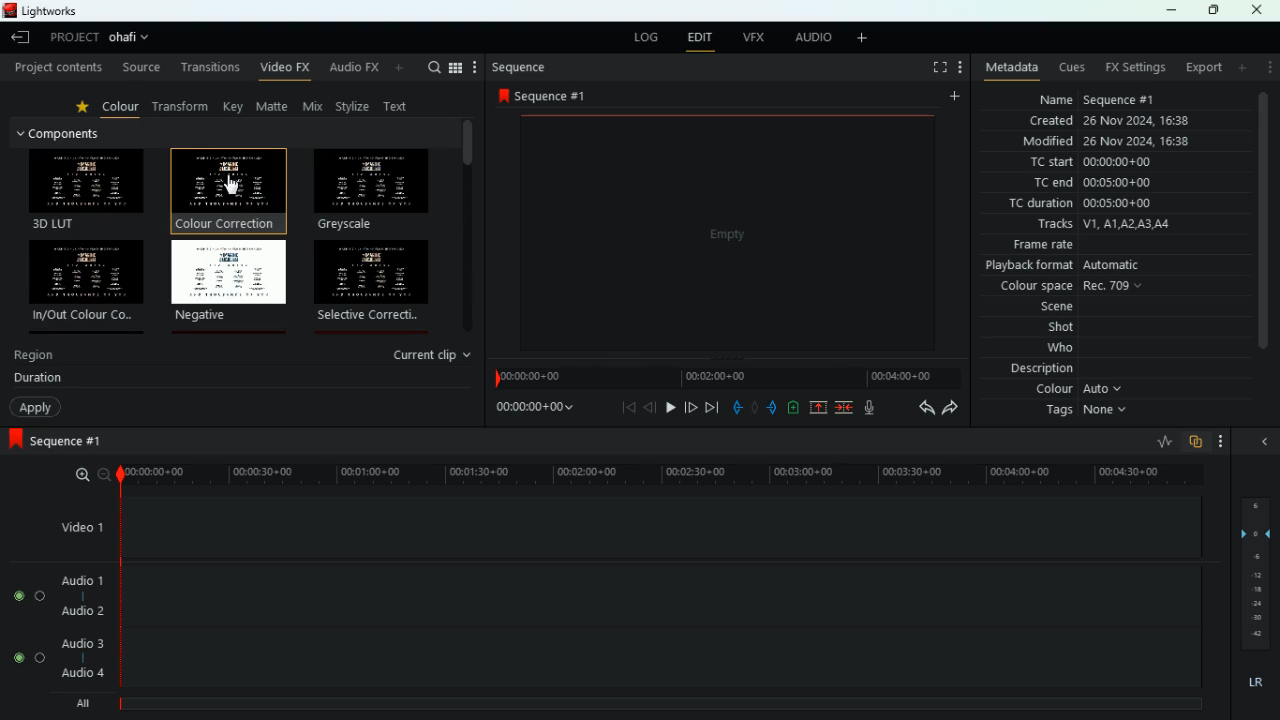 This screenshot has width=1280, height=720. What do you see at coordinates (36, 408) in the screenshot?
I see `apply` at bounding box center [36, 408].